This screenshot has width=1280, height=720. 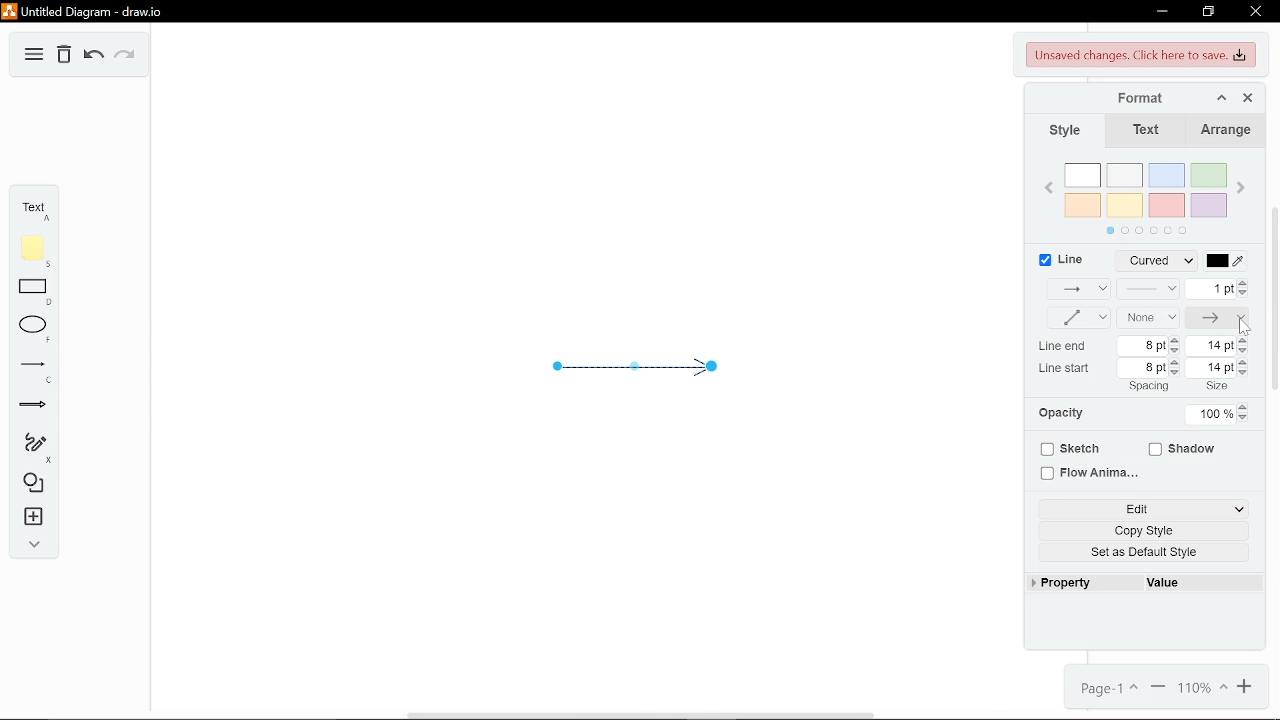 I want to click on Zoom out, so click(x=1161, y=688).